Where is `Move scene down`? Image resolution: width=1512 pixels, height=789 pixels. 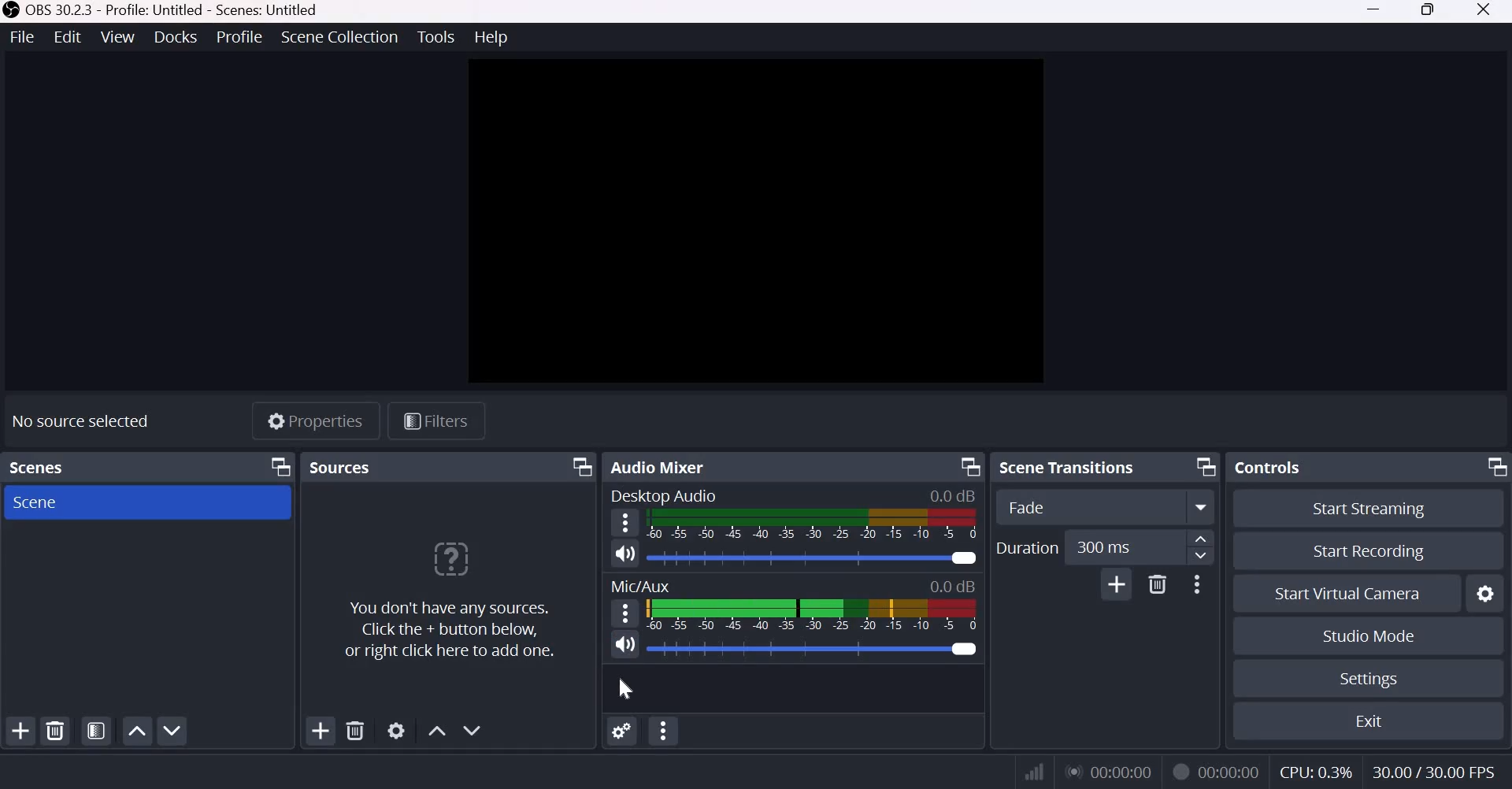 Move scene down is located at coordinates (172, 732).